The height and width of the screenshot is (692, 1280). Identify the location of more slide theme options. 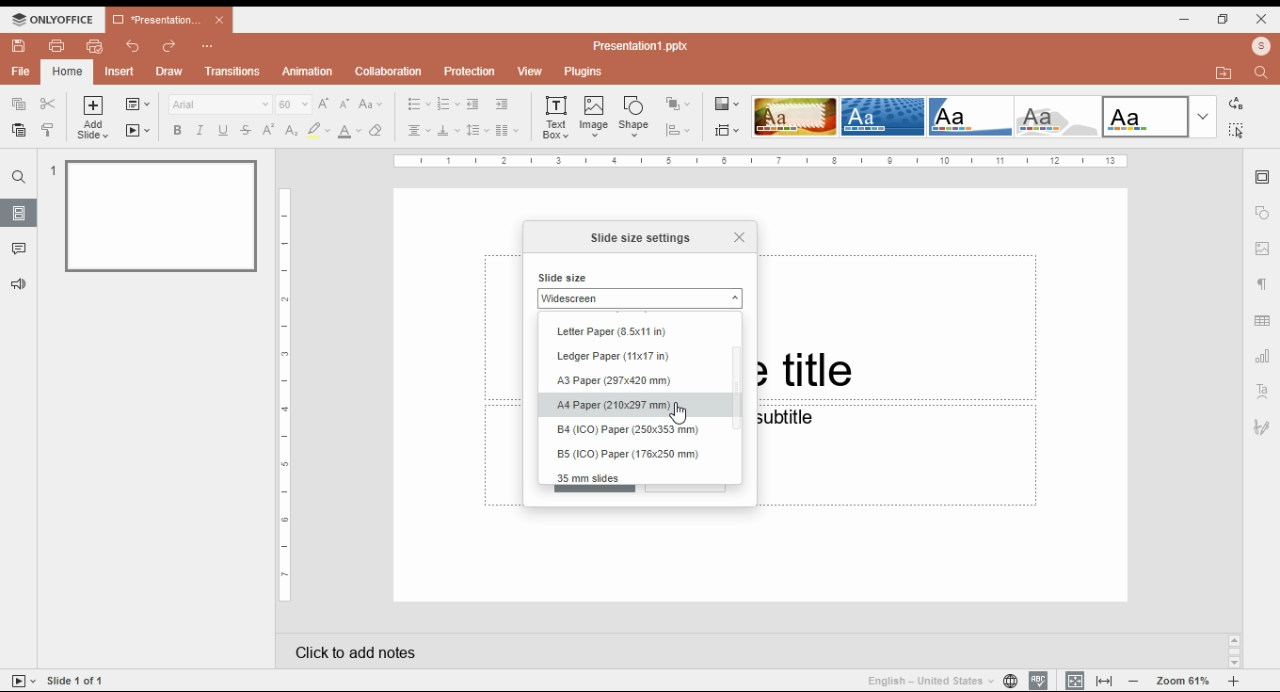
(1203, 117).